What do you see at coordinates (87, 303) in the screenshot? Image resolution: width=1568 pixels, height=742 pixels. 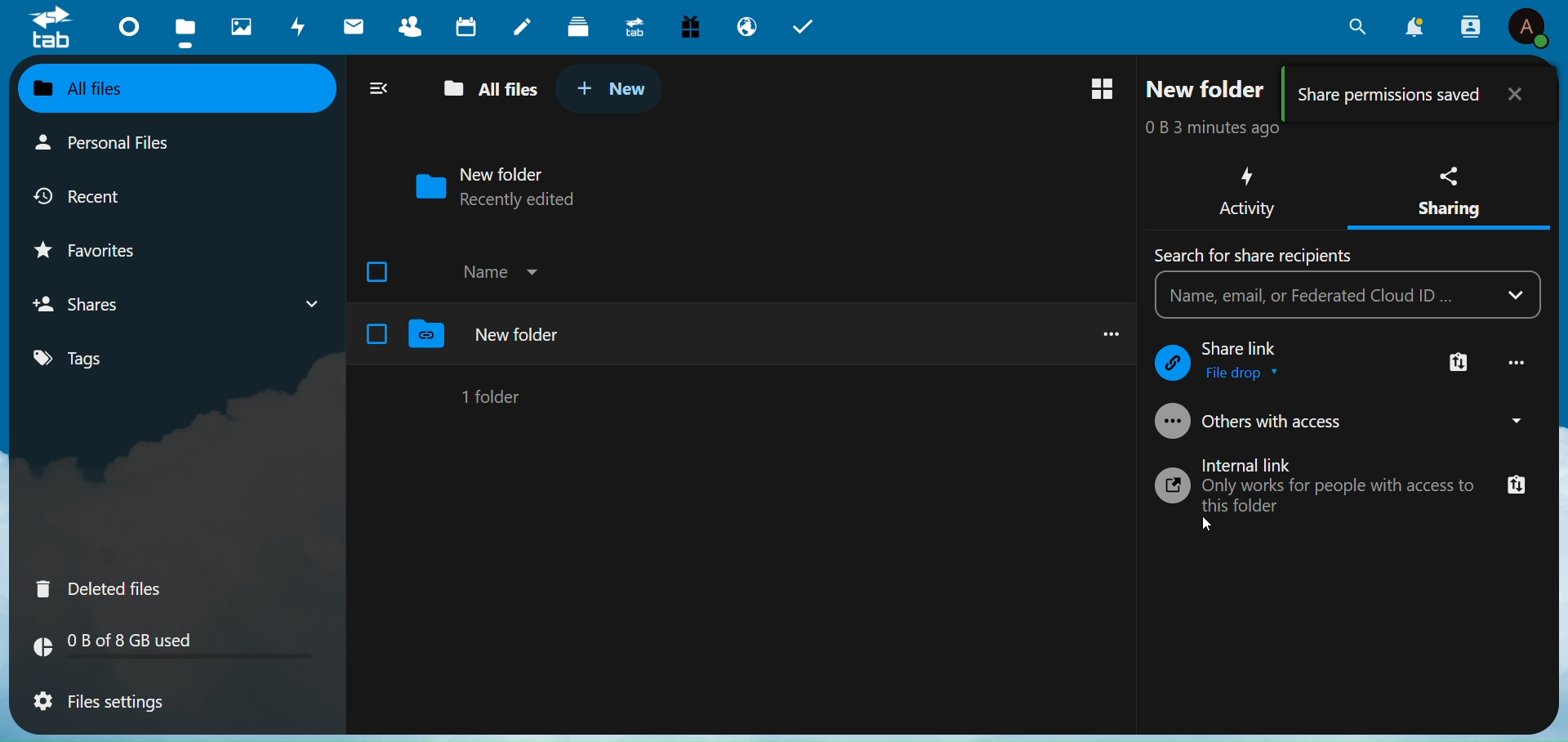 I see `Shares` at bounding box center [87, 303].